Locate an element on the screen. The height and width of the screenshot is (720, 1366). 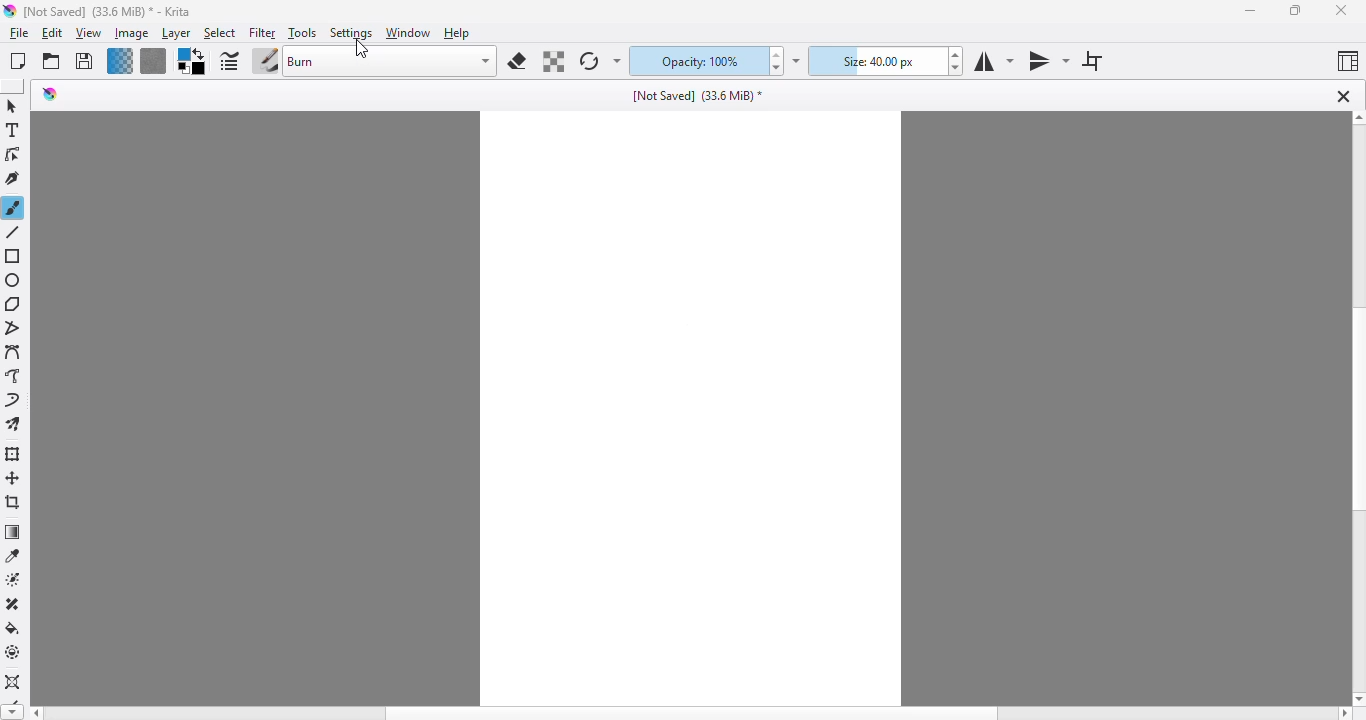
canvas is located at coordinates (692, 408).